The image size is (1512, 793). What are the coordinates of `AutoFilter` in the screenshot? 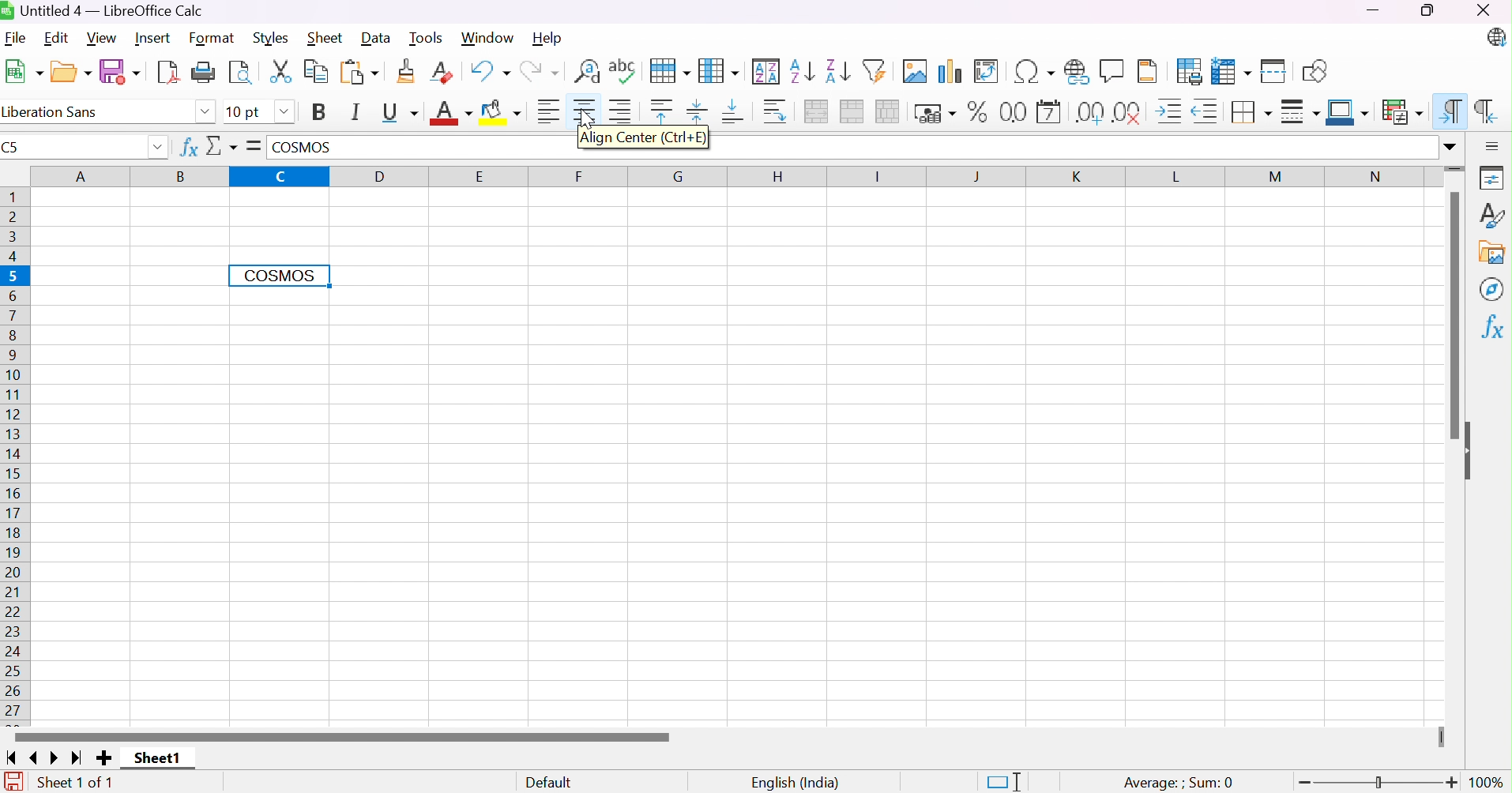 It's located at (874, 73).